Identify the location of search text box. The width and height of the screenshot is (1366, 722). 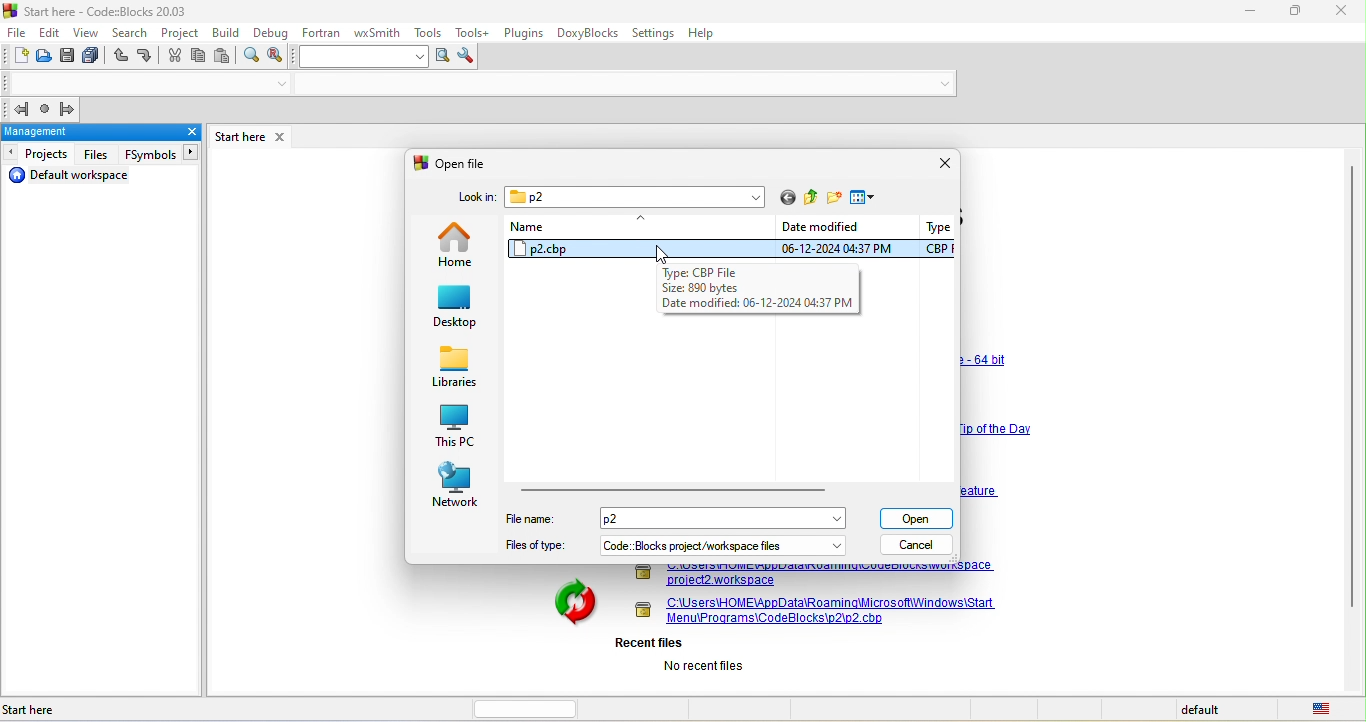
(365, 57).